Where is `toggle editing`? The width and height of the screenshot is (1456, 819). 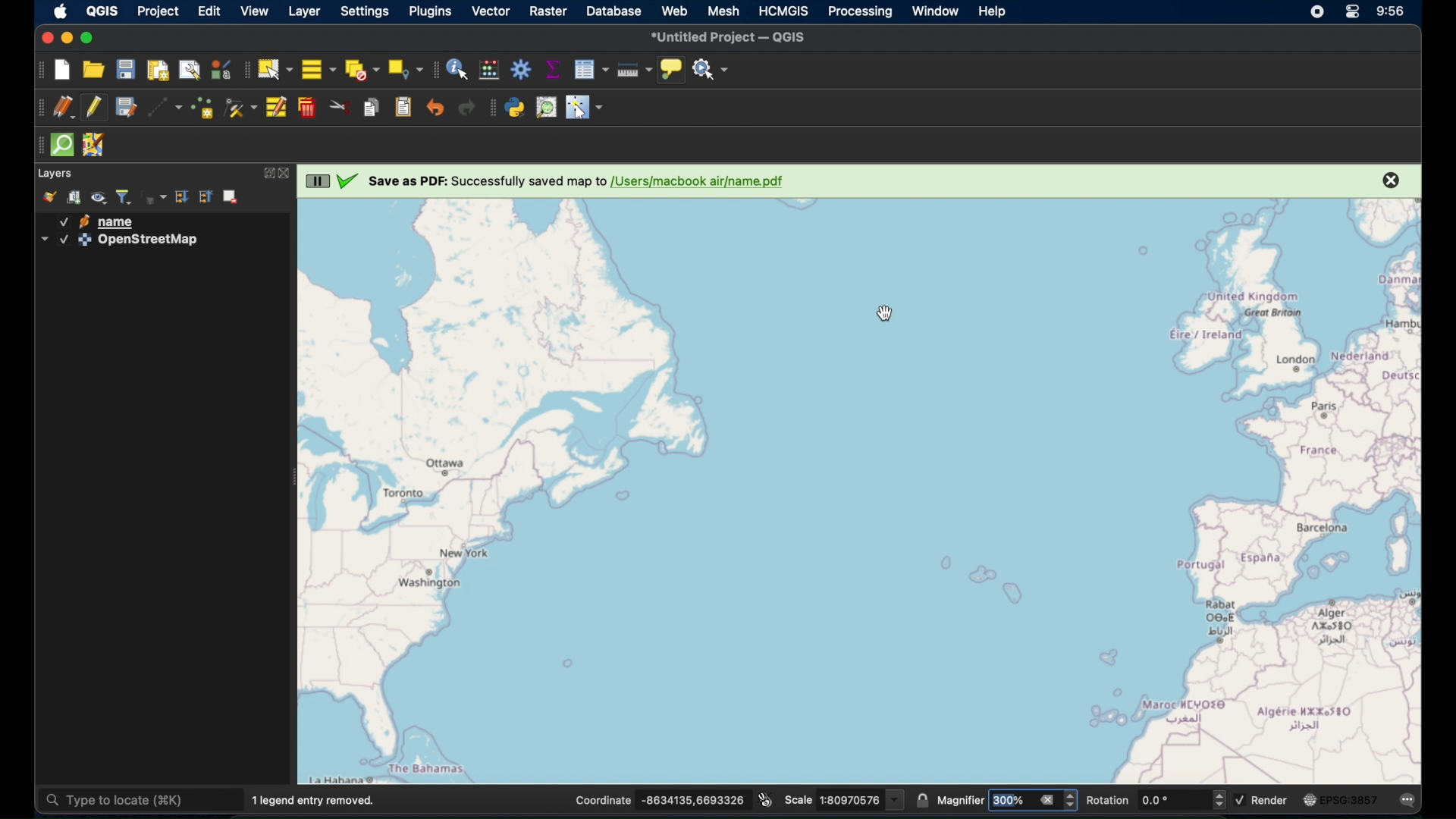 toggle editing is located at coordinates (93, 108).